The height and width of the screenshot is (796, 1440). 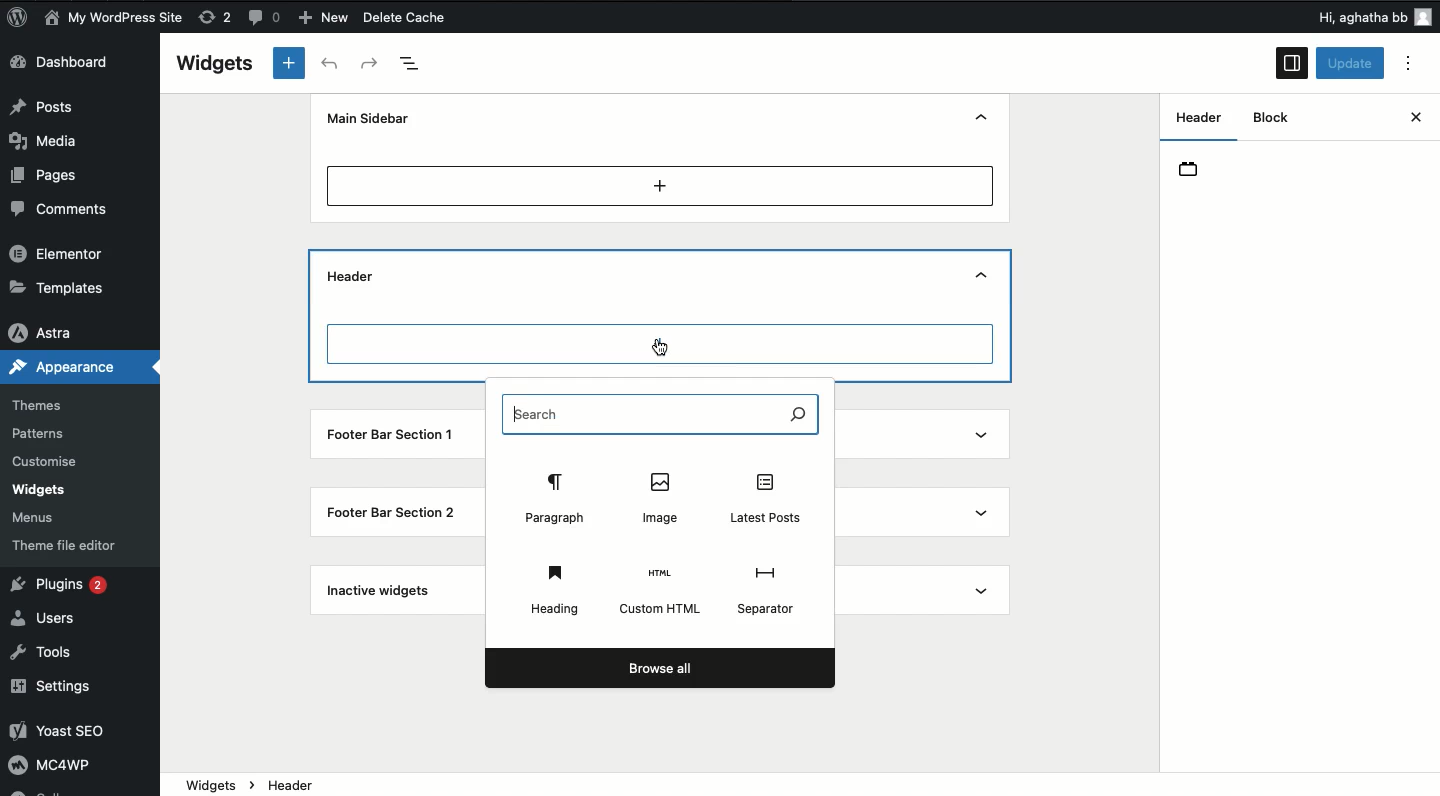 What do you see at coordinates (50, 653) in the screenshot?
I see `Tools` at bounding box center [50, 653].